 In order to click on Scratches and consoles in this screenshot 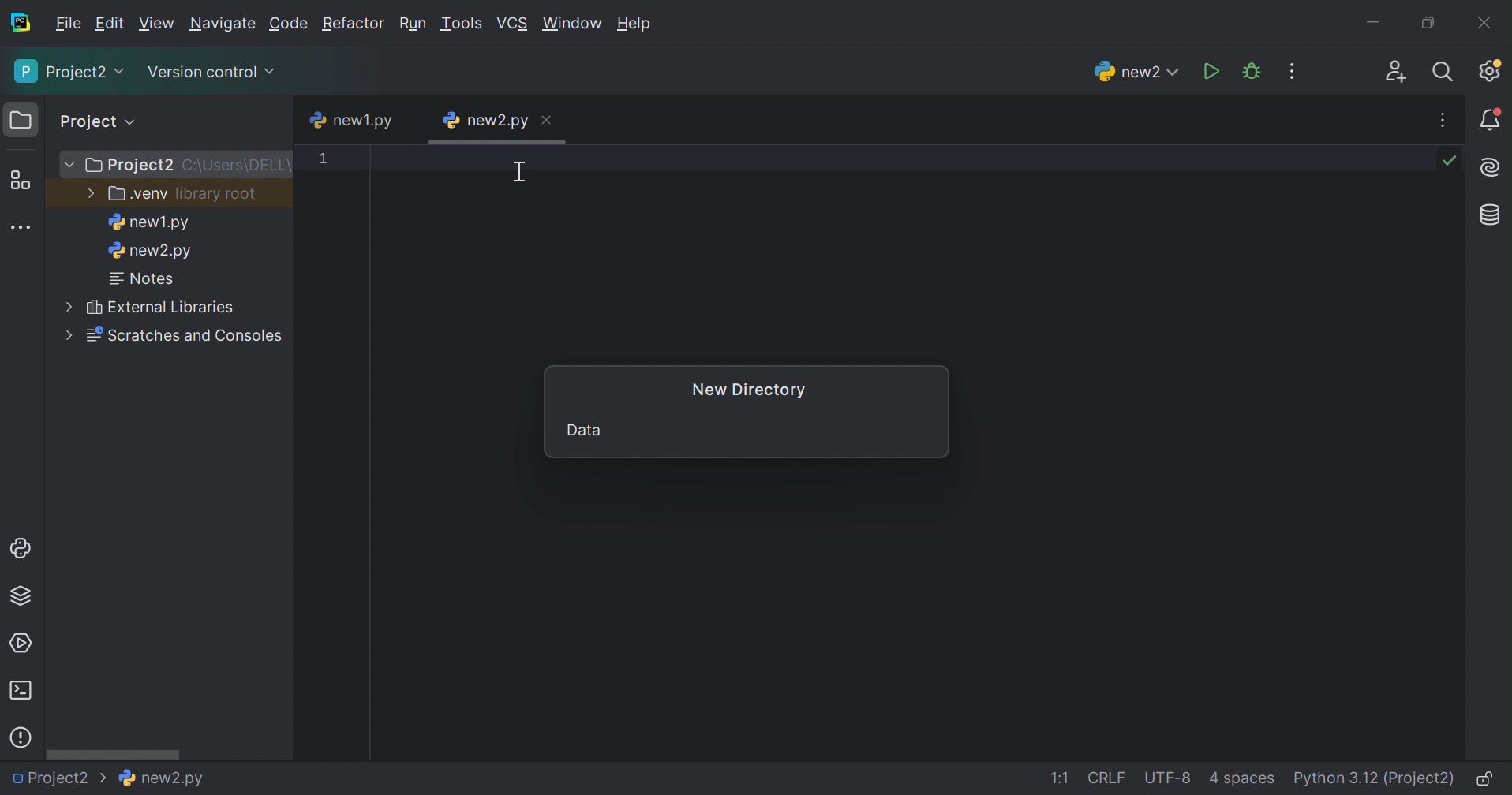, I will do `click(190, 336)`.